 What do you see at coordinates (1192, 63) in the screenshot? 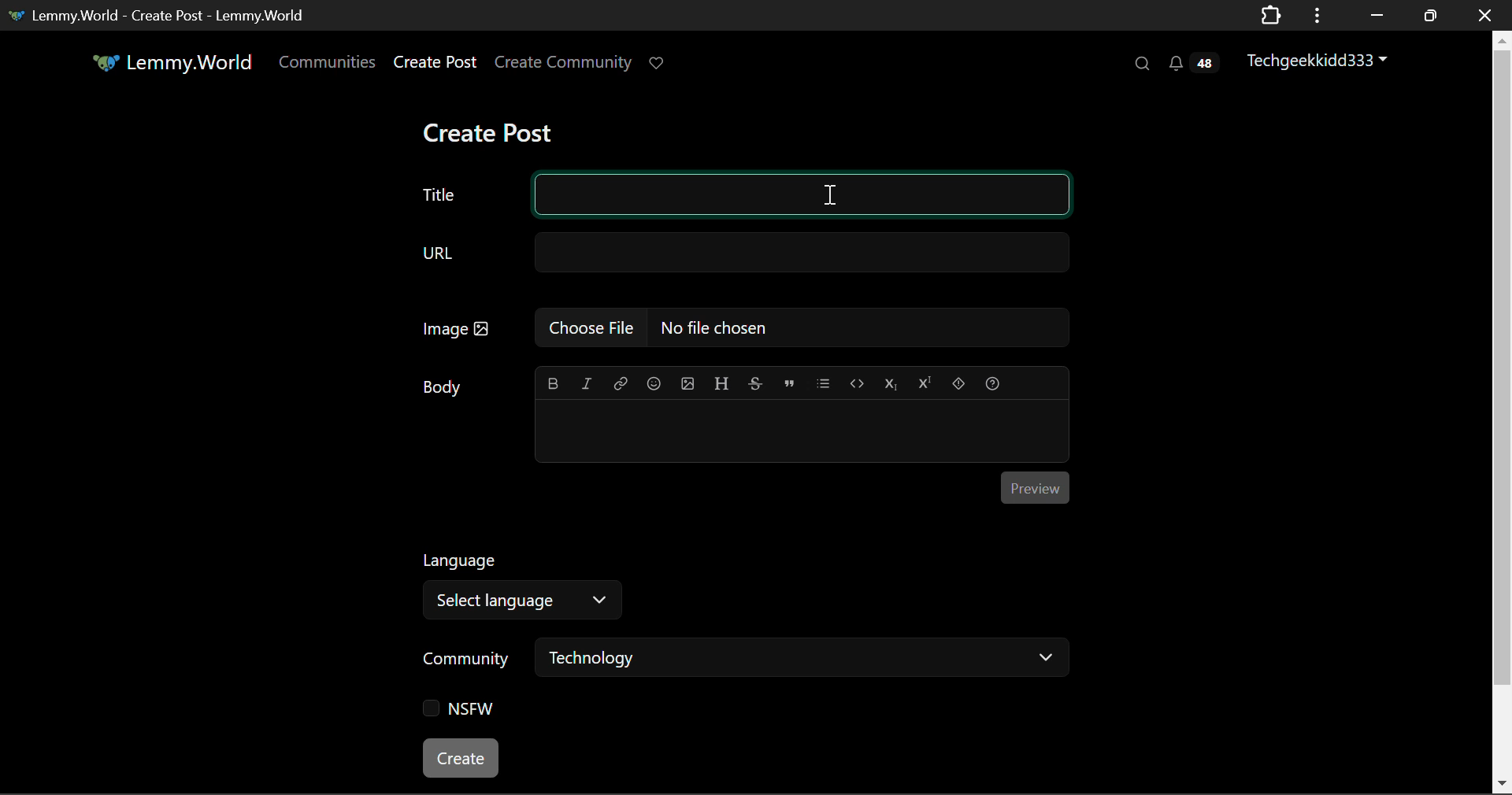
I see `Notifications` at bounding box center [1192, 63].